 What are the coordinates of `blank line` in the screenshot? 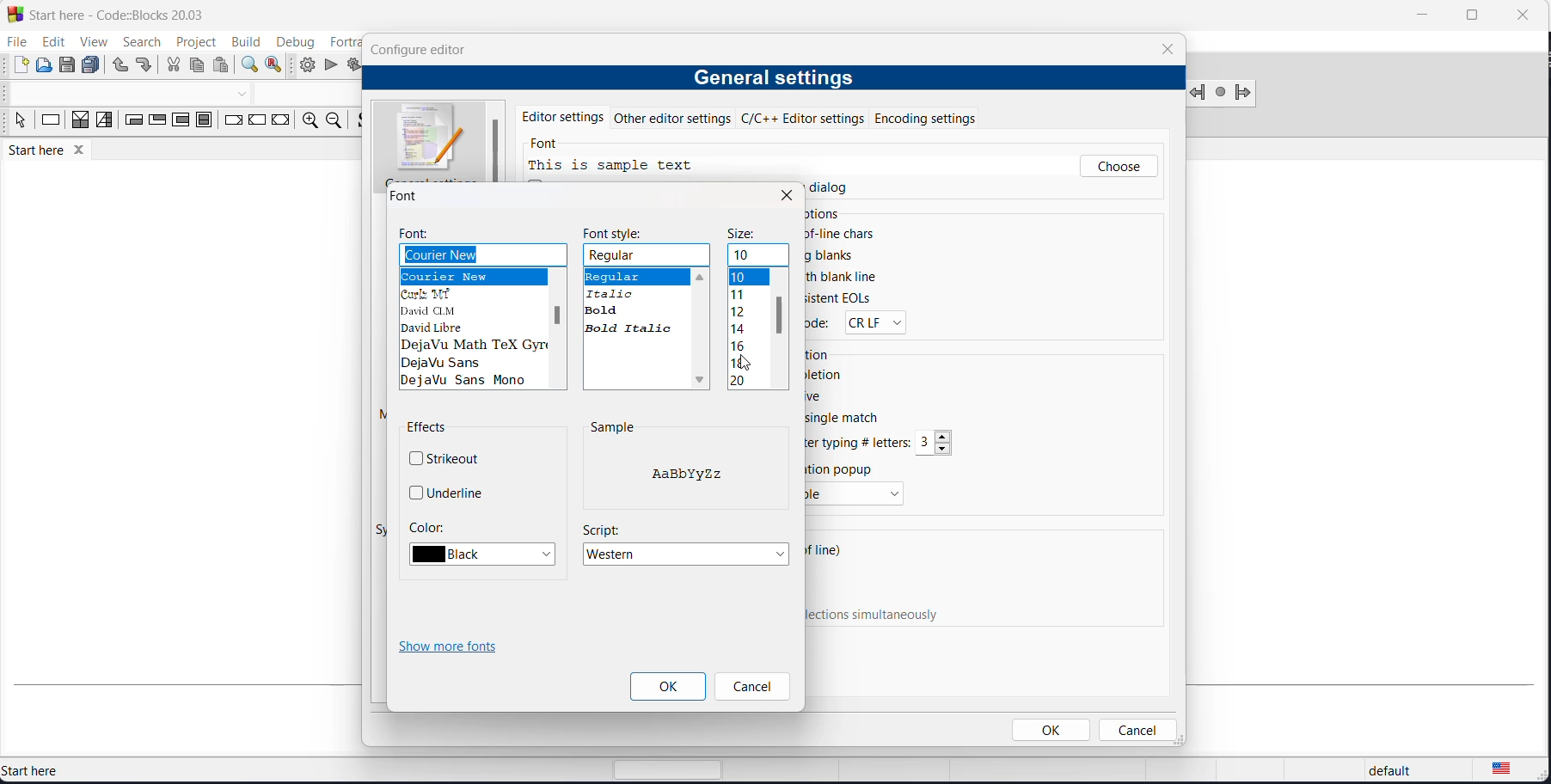 It's located at (848, 279).